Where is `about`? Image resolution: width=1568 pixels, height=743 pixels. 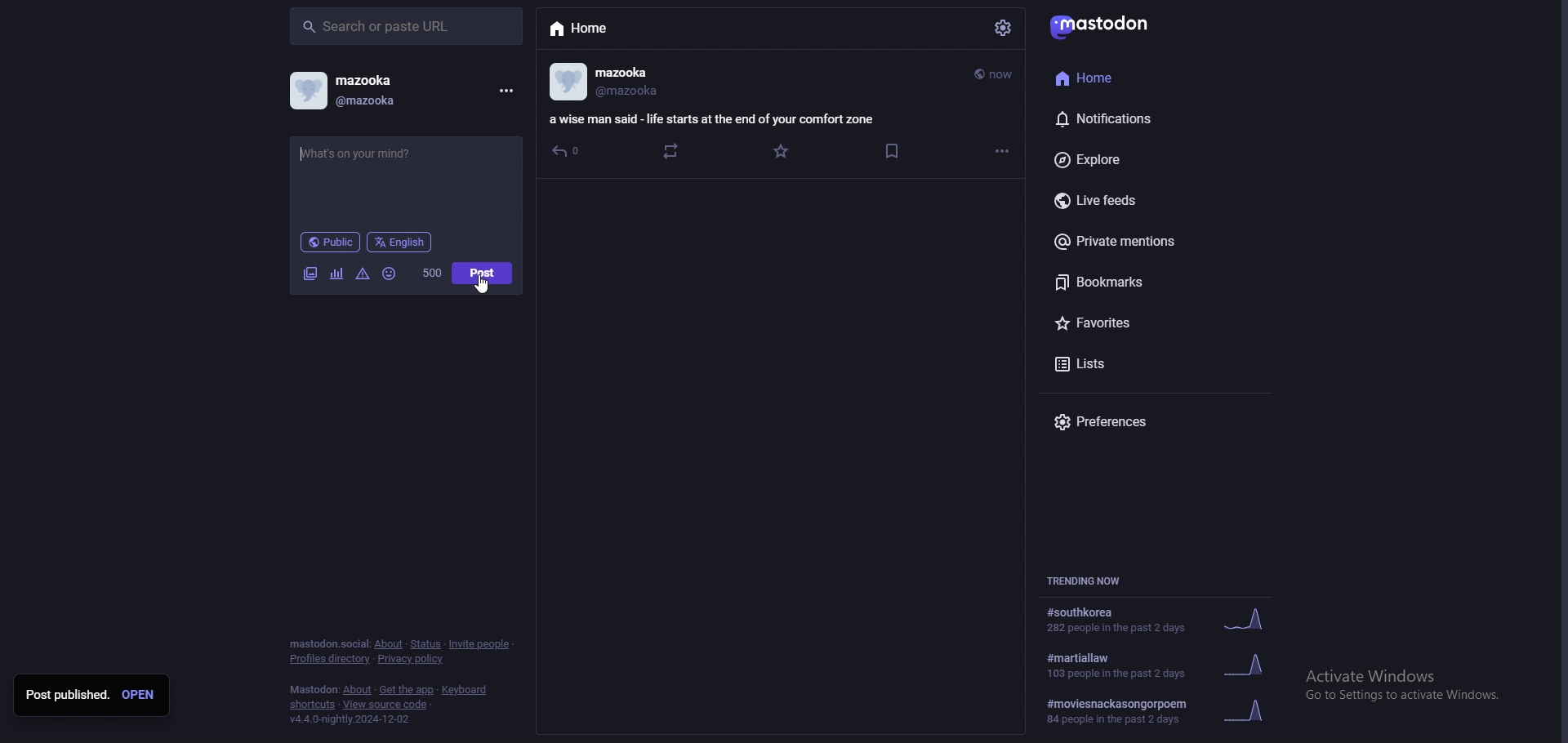 about is located at coordinates (358, 690).